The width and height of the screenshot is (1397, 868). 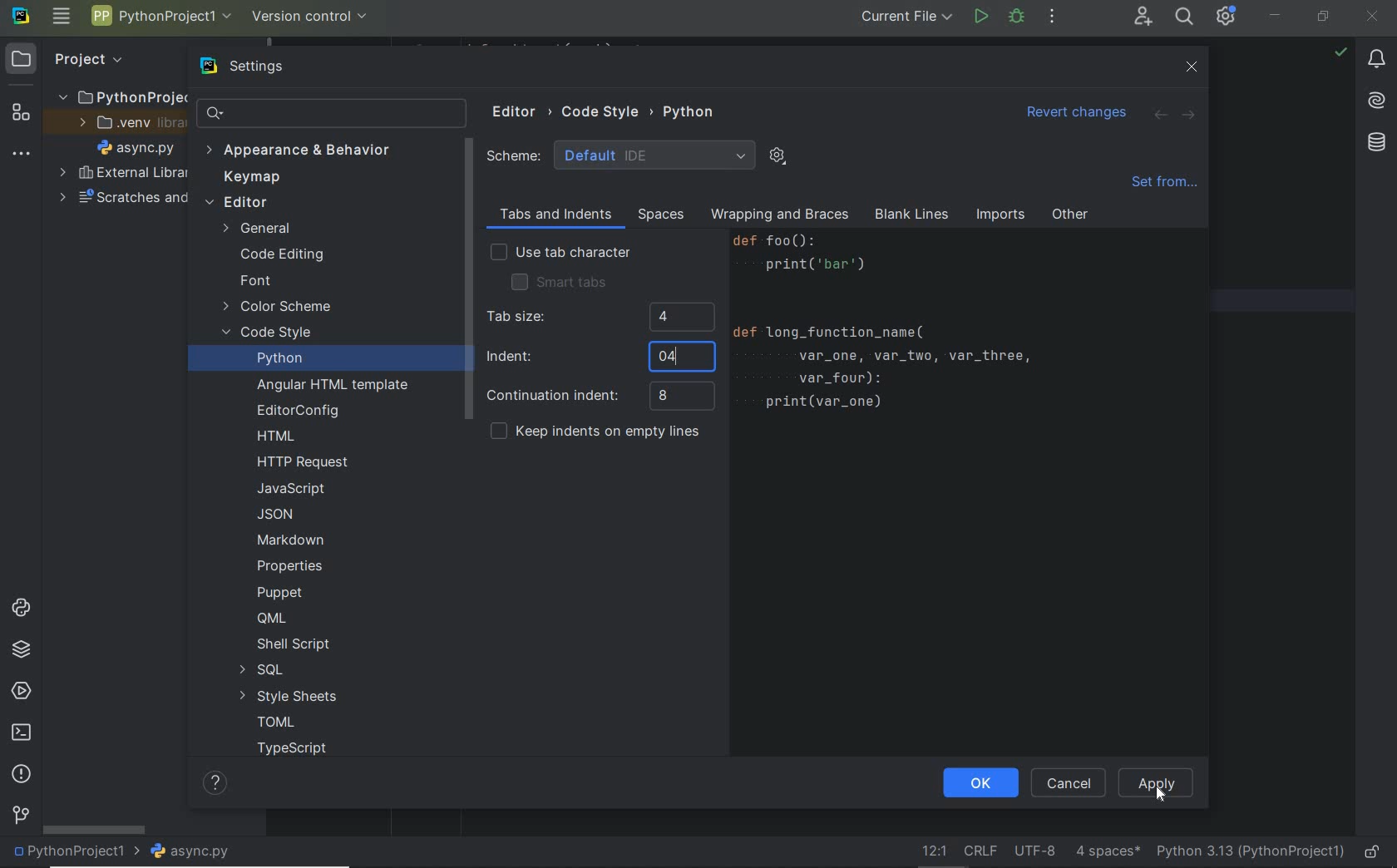 What do you see at coordinates (980, 785) in the screenshot?
I see `ok` at bounding box center [980, 785].